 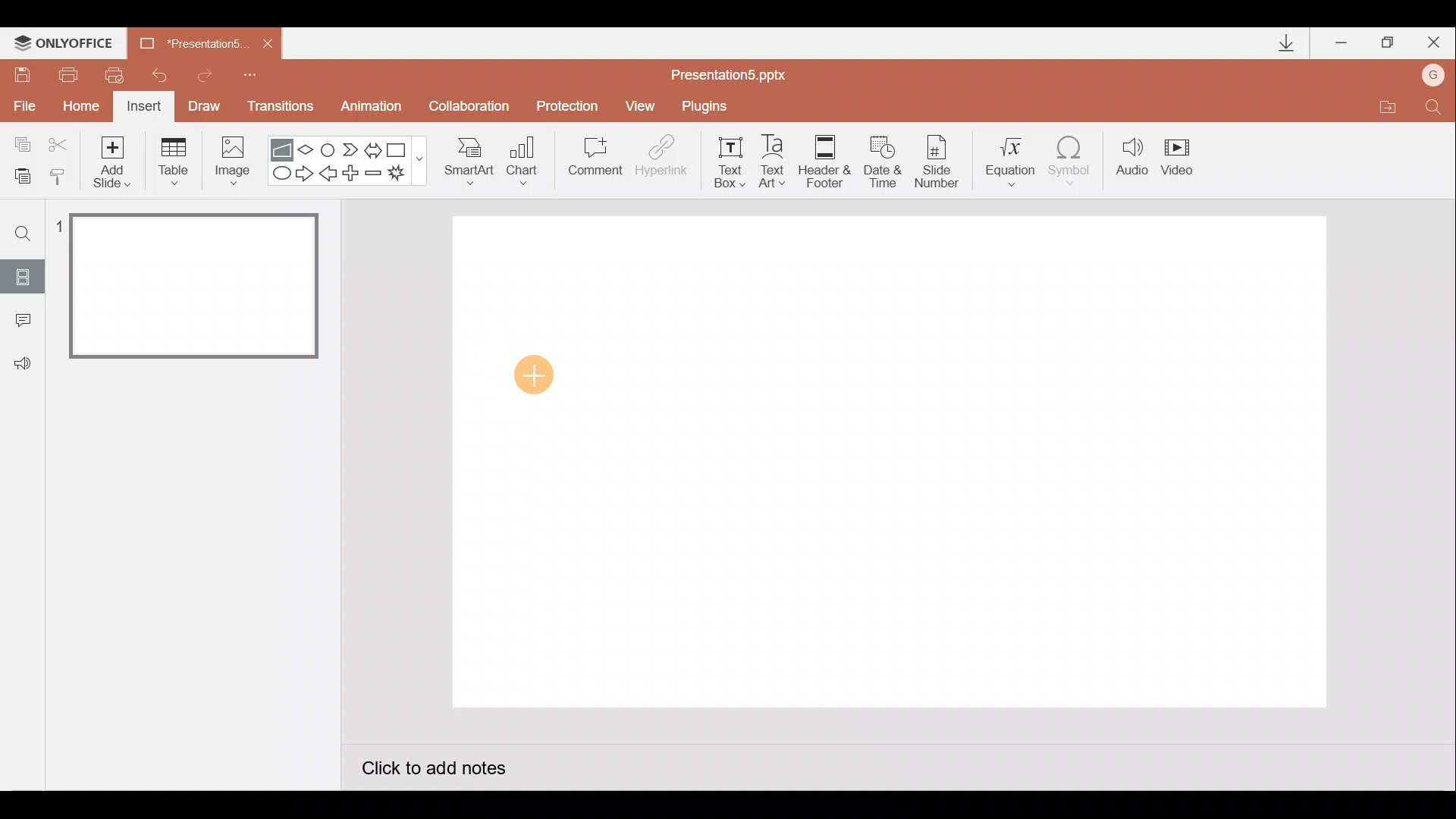 What do you see at coordinates (206, 73) in the screenshot?
I see `Redo` at bounding box center [206, 73].